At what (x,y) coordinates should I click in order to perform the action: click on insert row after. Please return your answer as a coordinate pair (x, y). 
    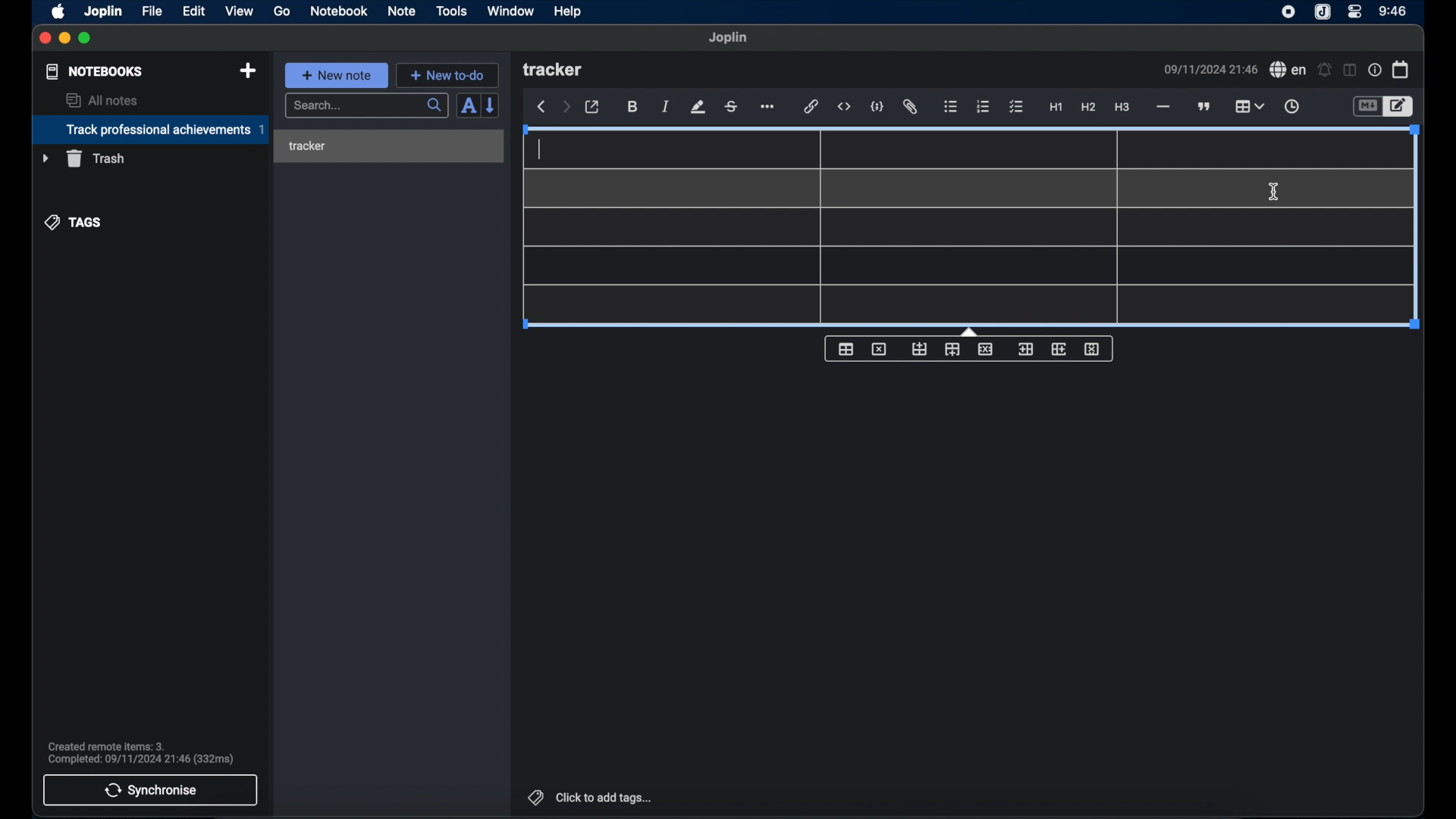
    Looking at the image, I should click on (952, 350).